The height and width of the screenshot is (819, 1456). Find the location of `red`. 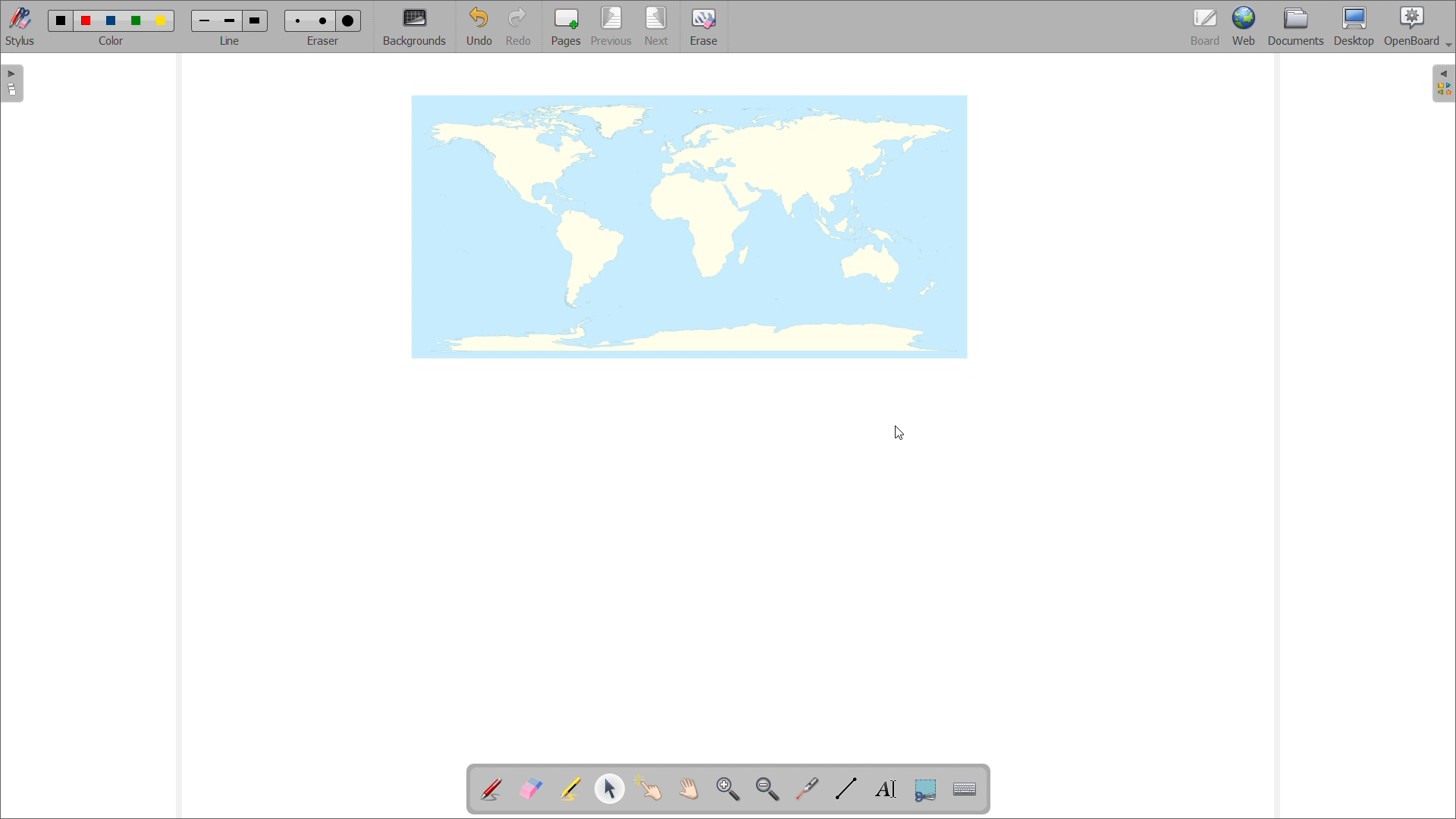

red is located at coordinates (86, 20).